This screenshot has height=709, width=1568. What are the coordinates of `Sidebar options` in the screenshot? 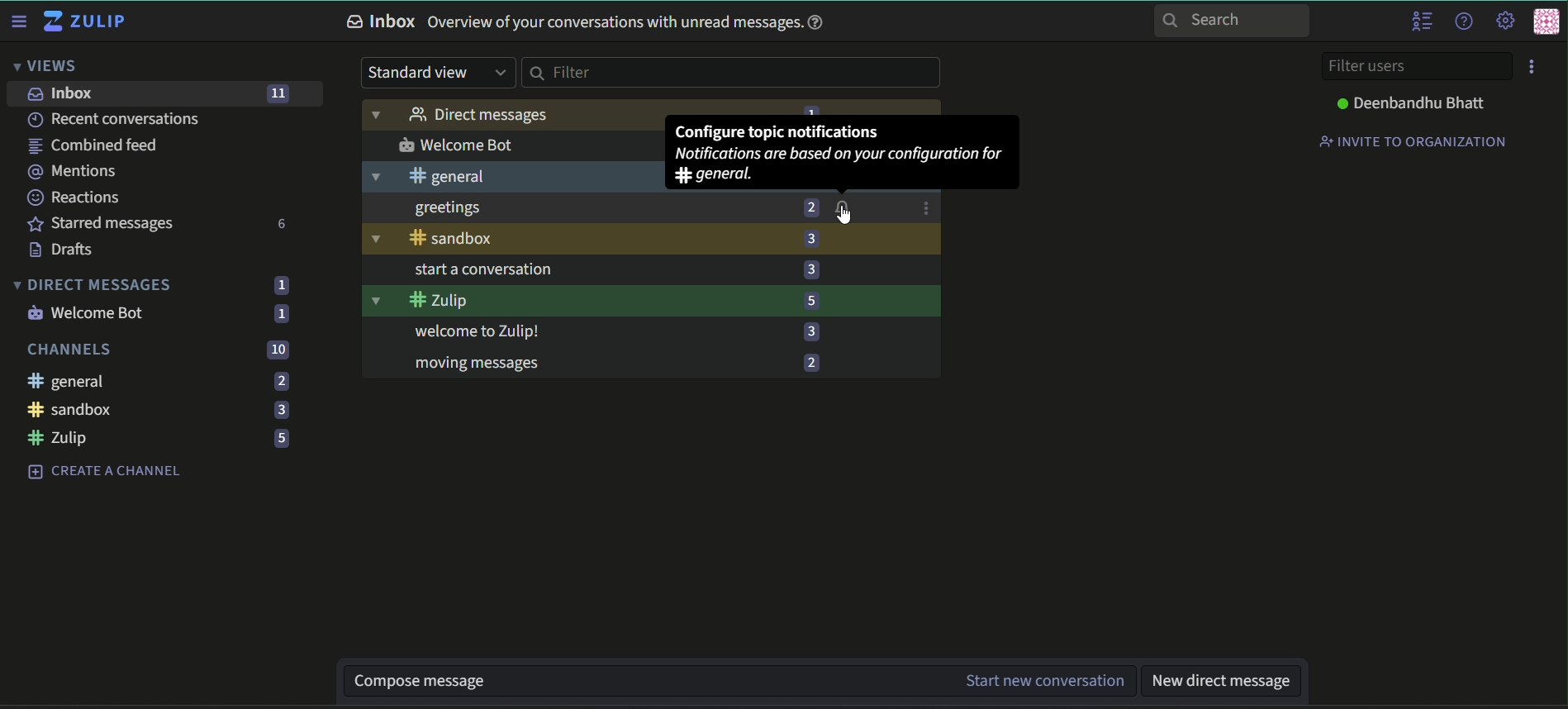 It's located at (19, 20).